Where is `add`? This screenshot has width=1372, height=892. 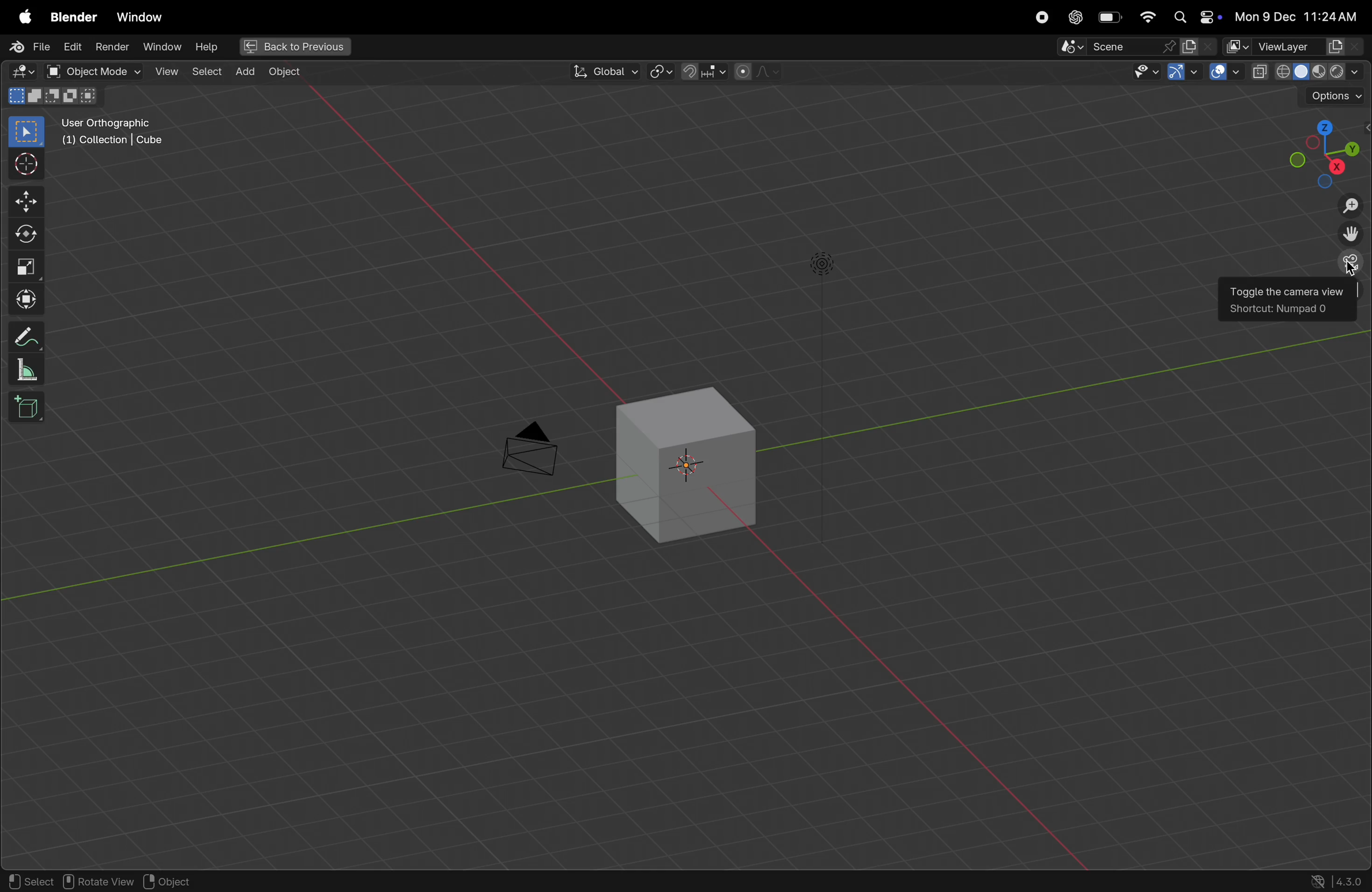
add is located at coordinates (242, 73).